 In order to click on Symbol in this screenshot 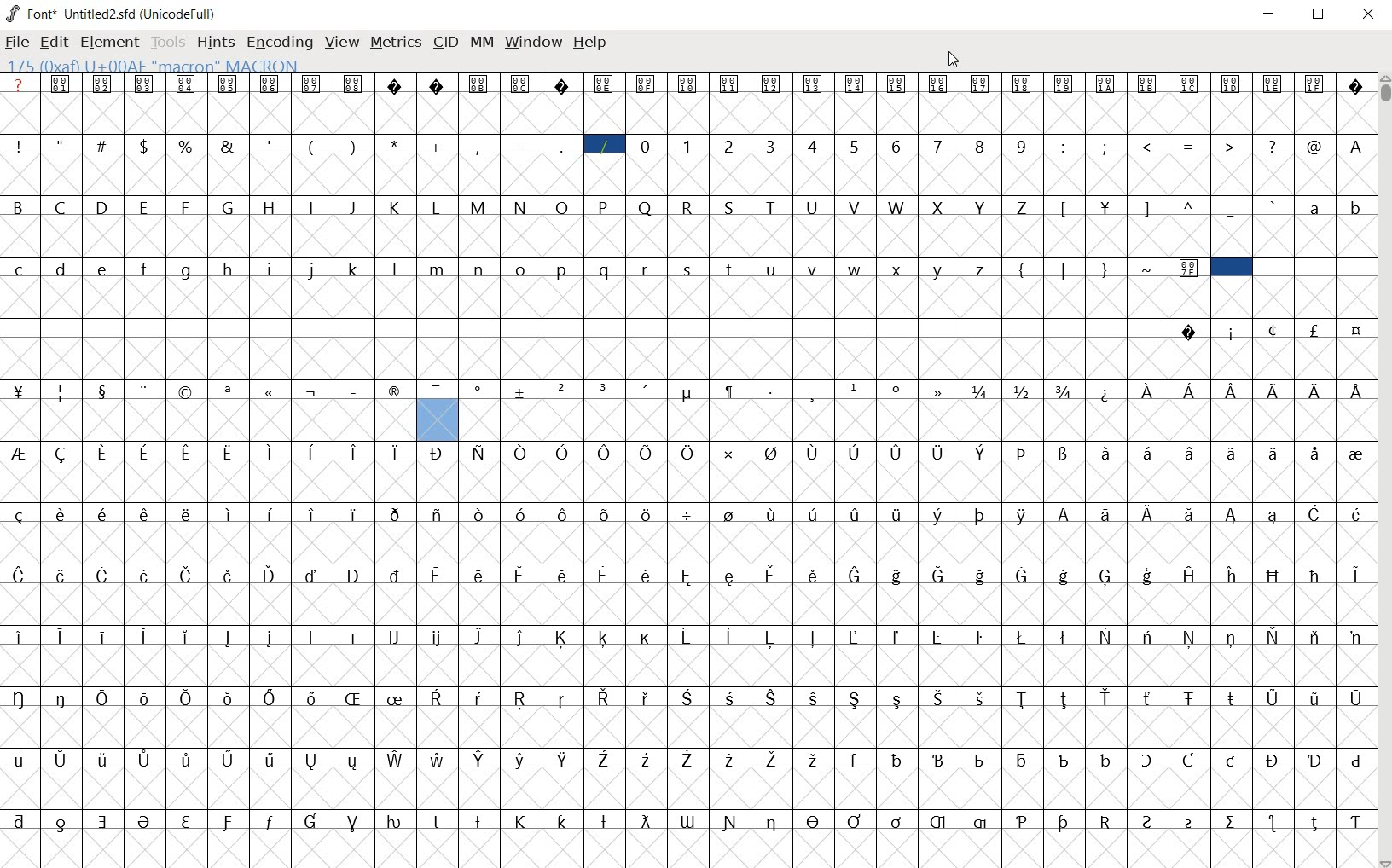, I will do `click(188, 758)`.